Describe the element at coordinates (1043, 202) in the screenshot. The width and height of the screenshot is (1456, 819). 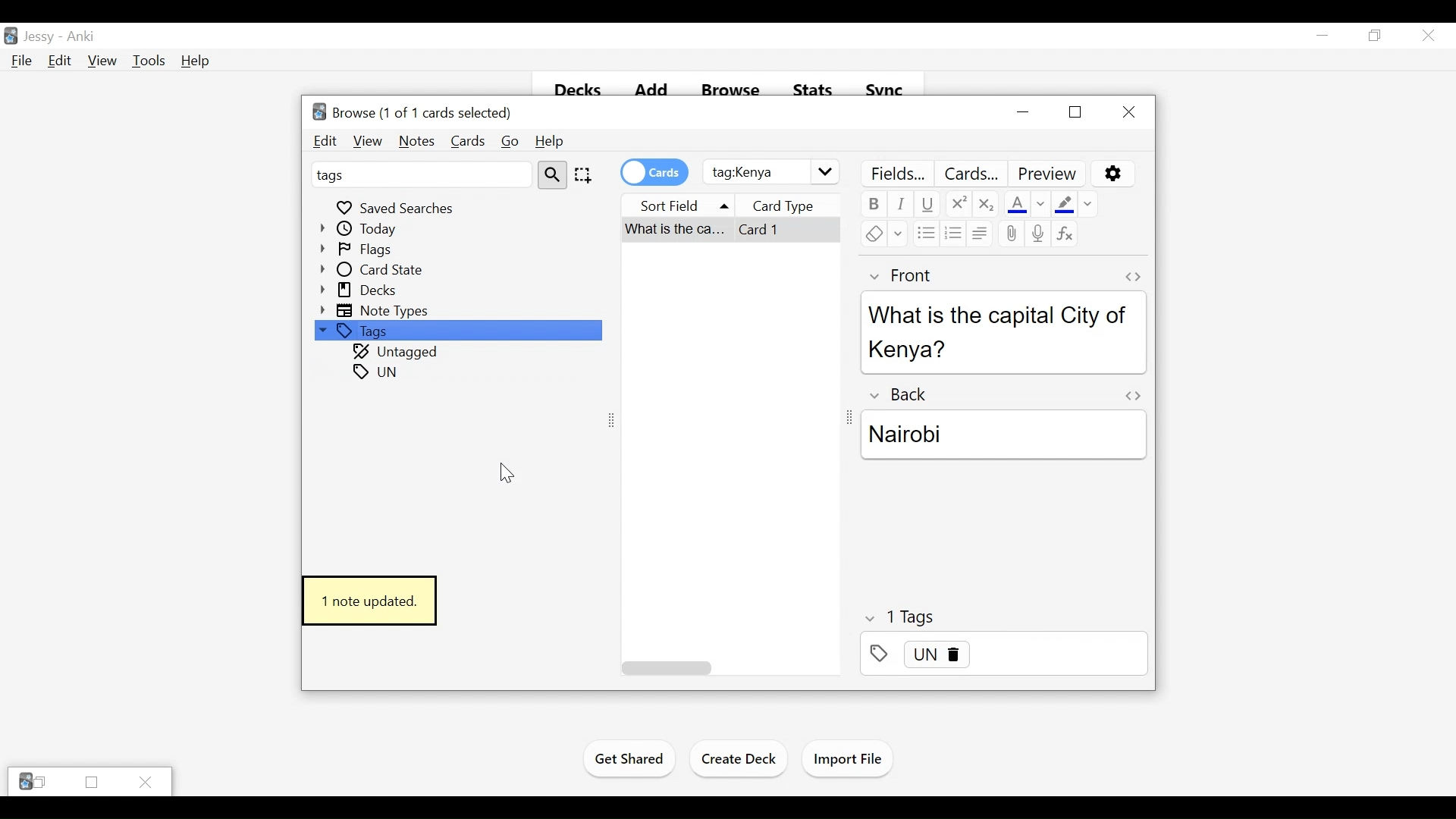
I see `Change Color` at that location.